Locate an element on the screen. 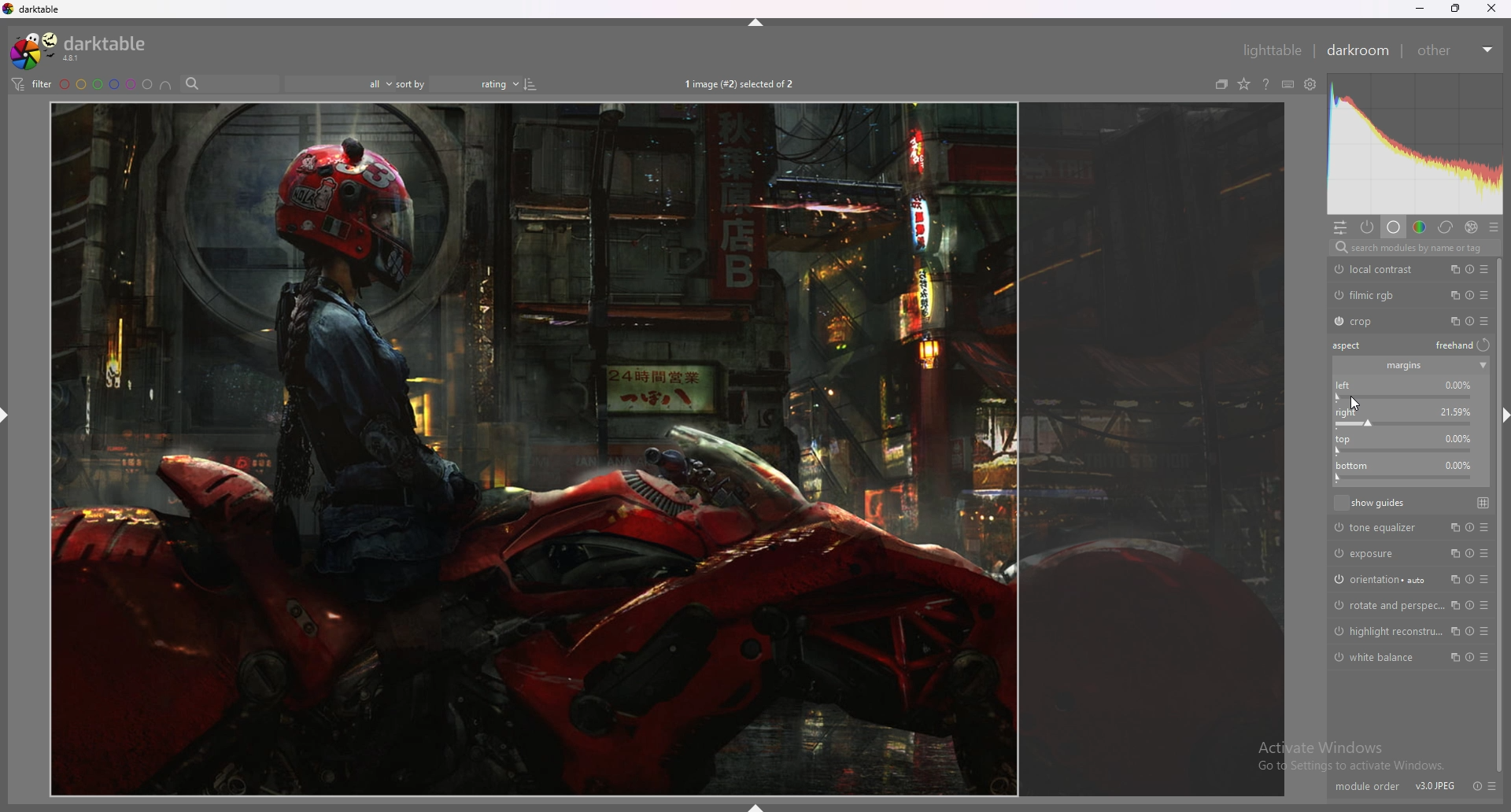  bottom is located at coordinates (1409, 472).